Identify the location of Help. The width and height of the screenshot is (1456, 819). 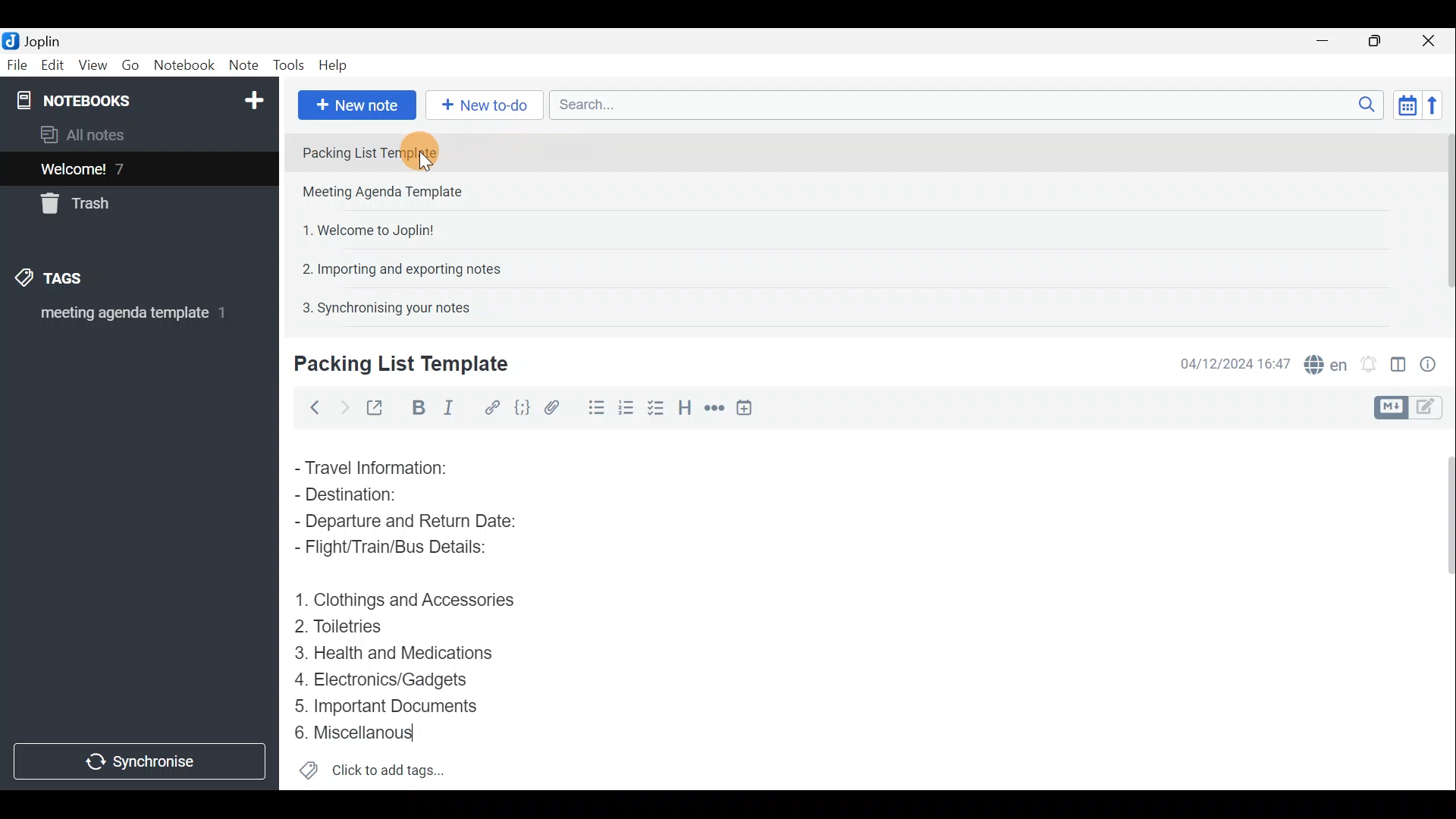
(335, 67).